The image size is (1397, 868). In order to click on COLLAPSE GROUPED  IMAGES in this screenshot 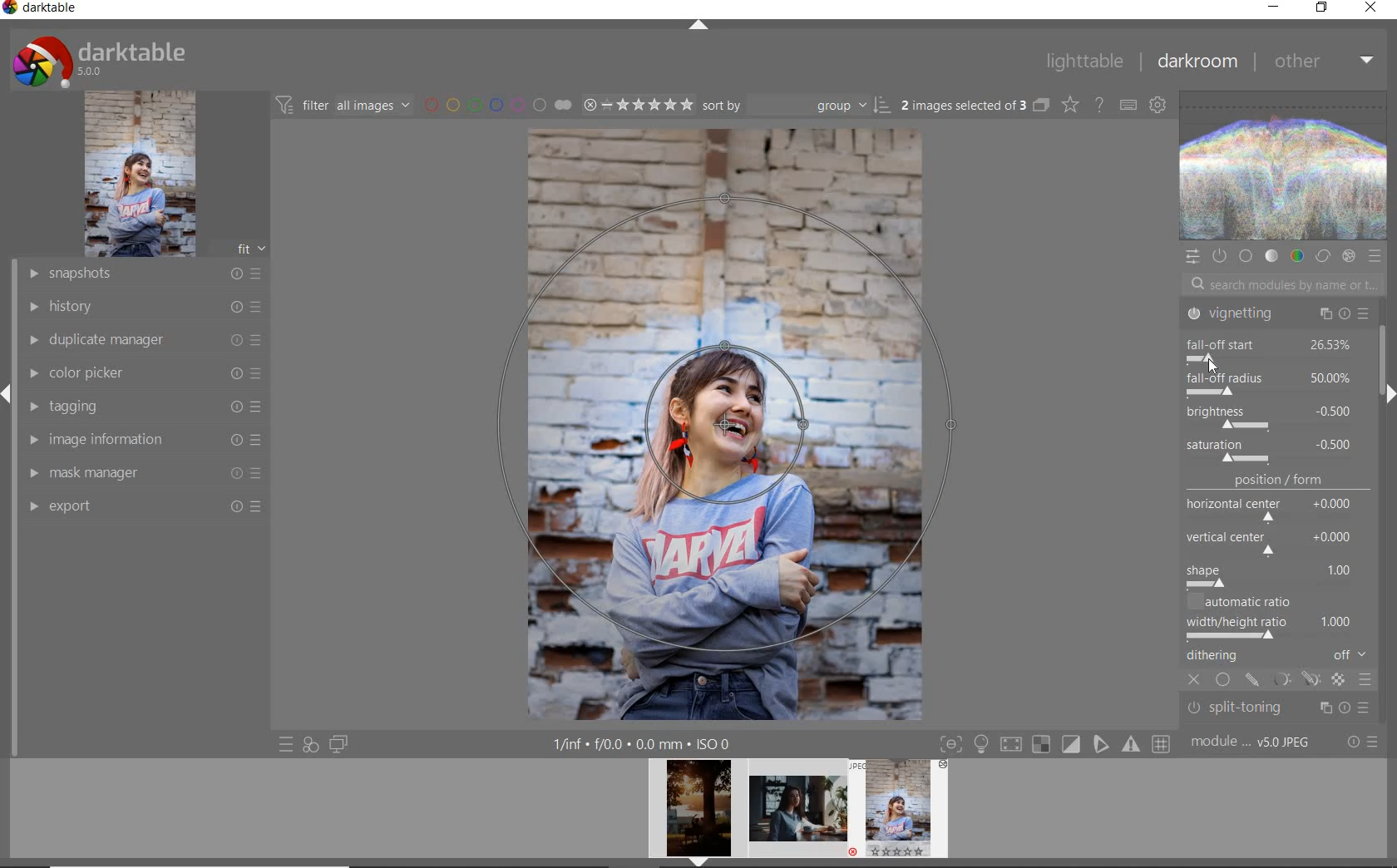, I will do `click(1041, 104)`.